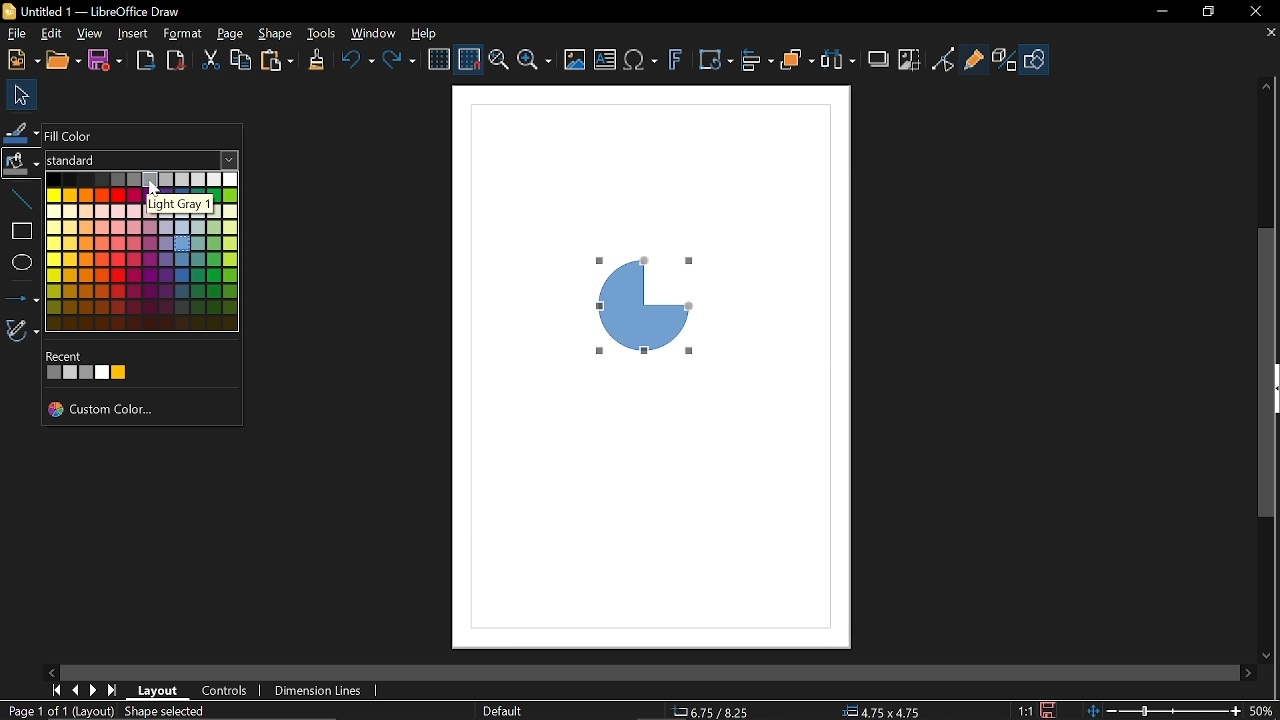 This screenshot has width=1280, height=720. I want to click on Select at least three objects to distribute, so click(840, 61).